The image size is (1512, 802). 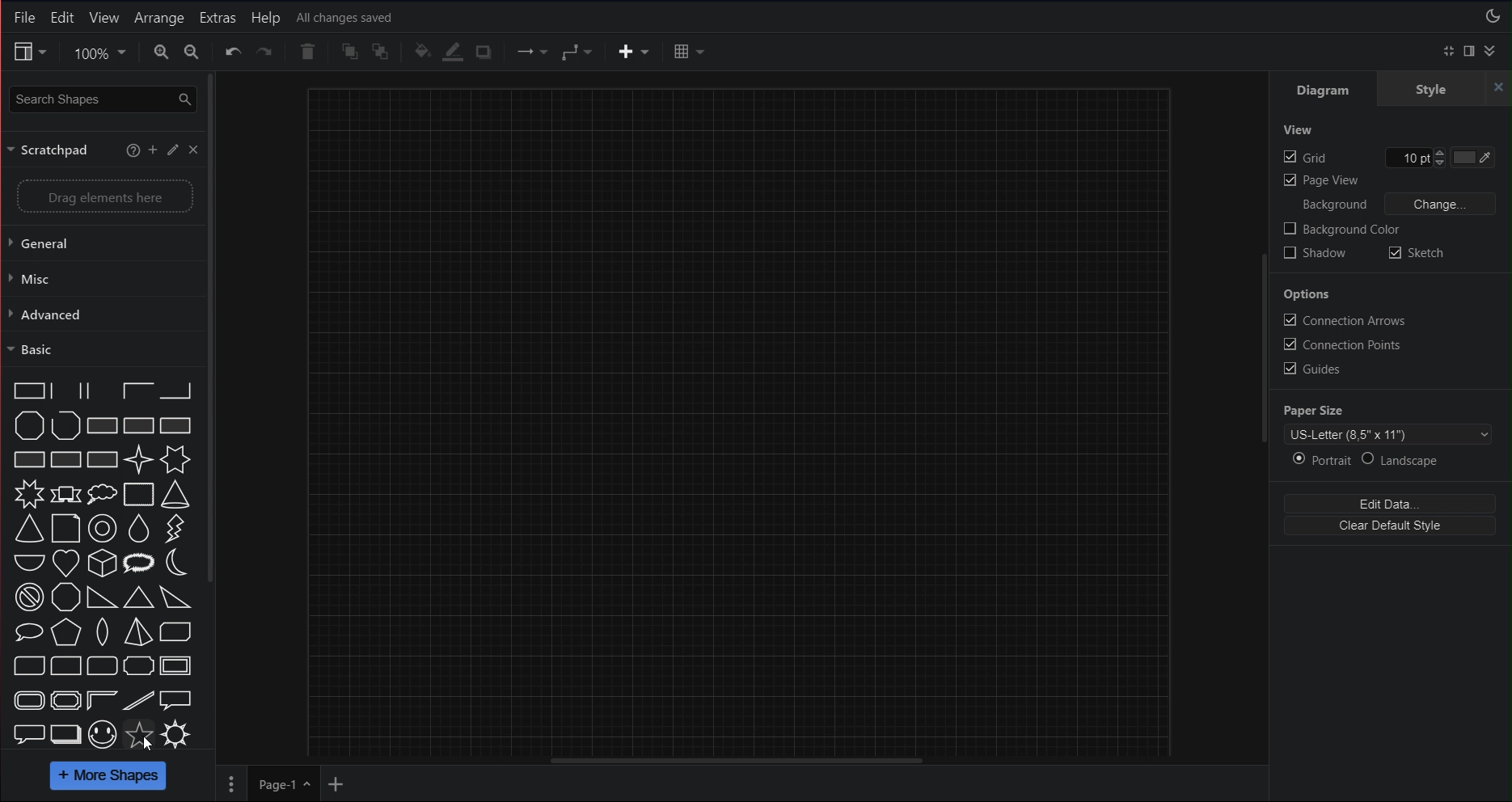 I want to click on Search Bar, so click(x=102, y=97).